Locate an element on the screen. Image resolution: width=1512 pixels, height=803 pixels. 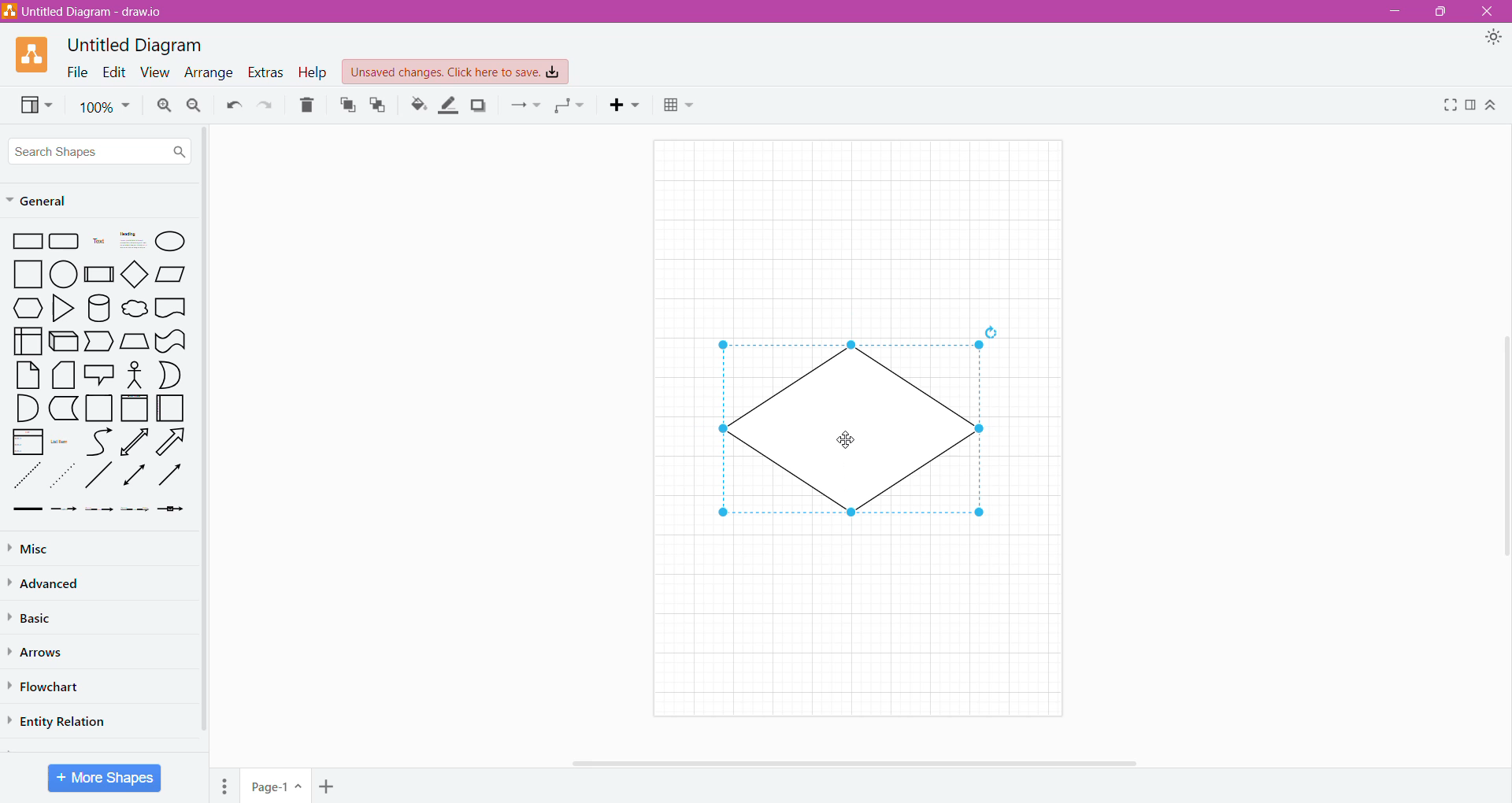
Format is located at coordinates (1472, 105).